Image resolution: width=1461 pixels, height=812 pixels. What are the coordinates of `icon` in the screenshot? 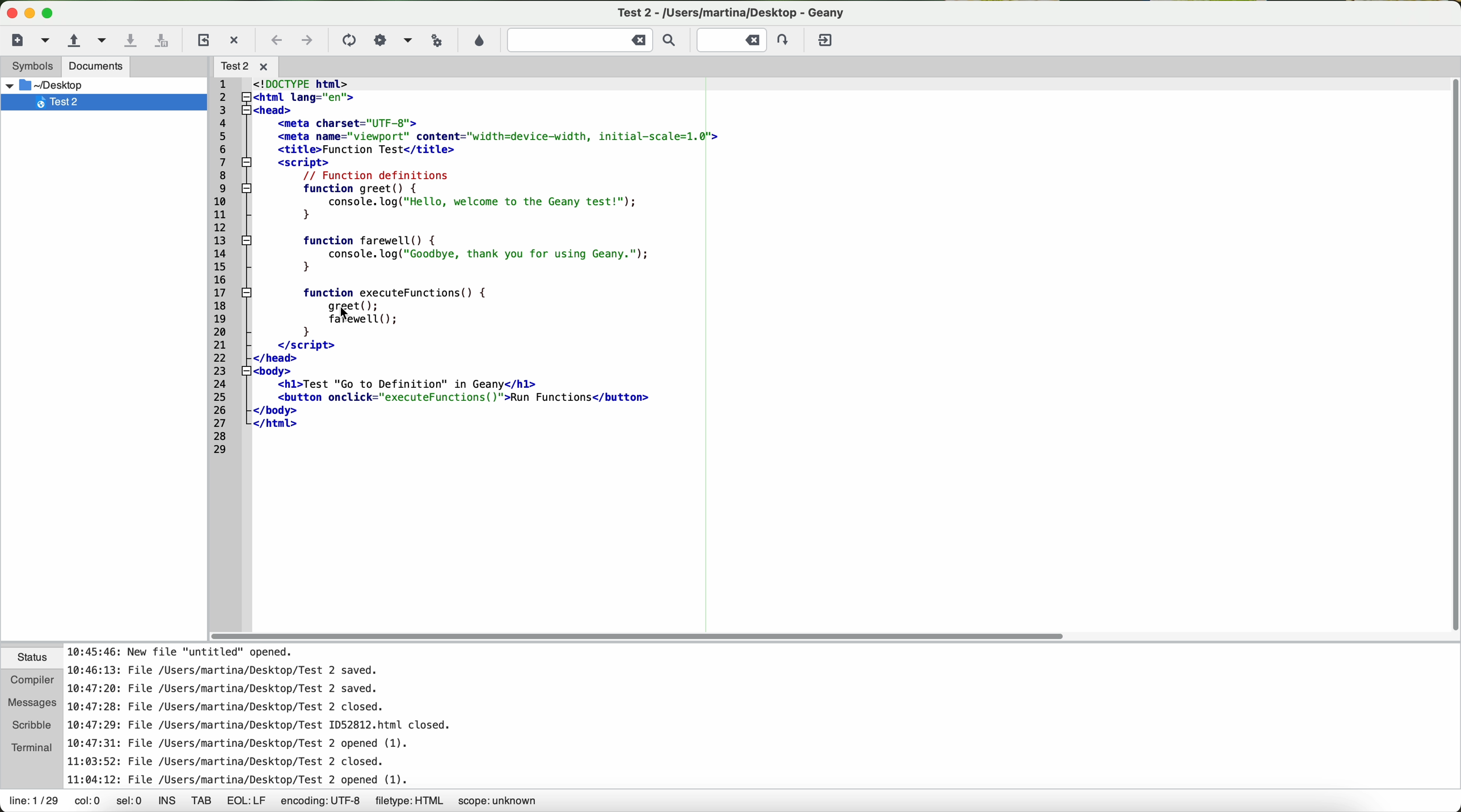 It's located at (406, 41).